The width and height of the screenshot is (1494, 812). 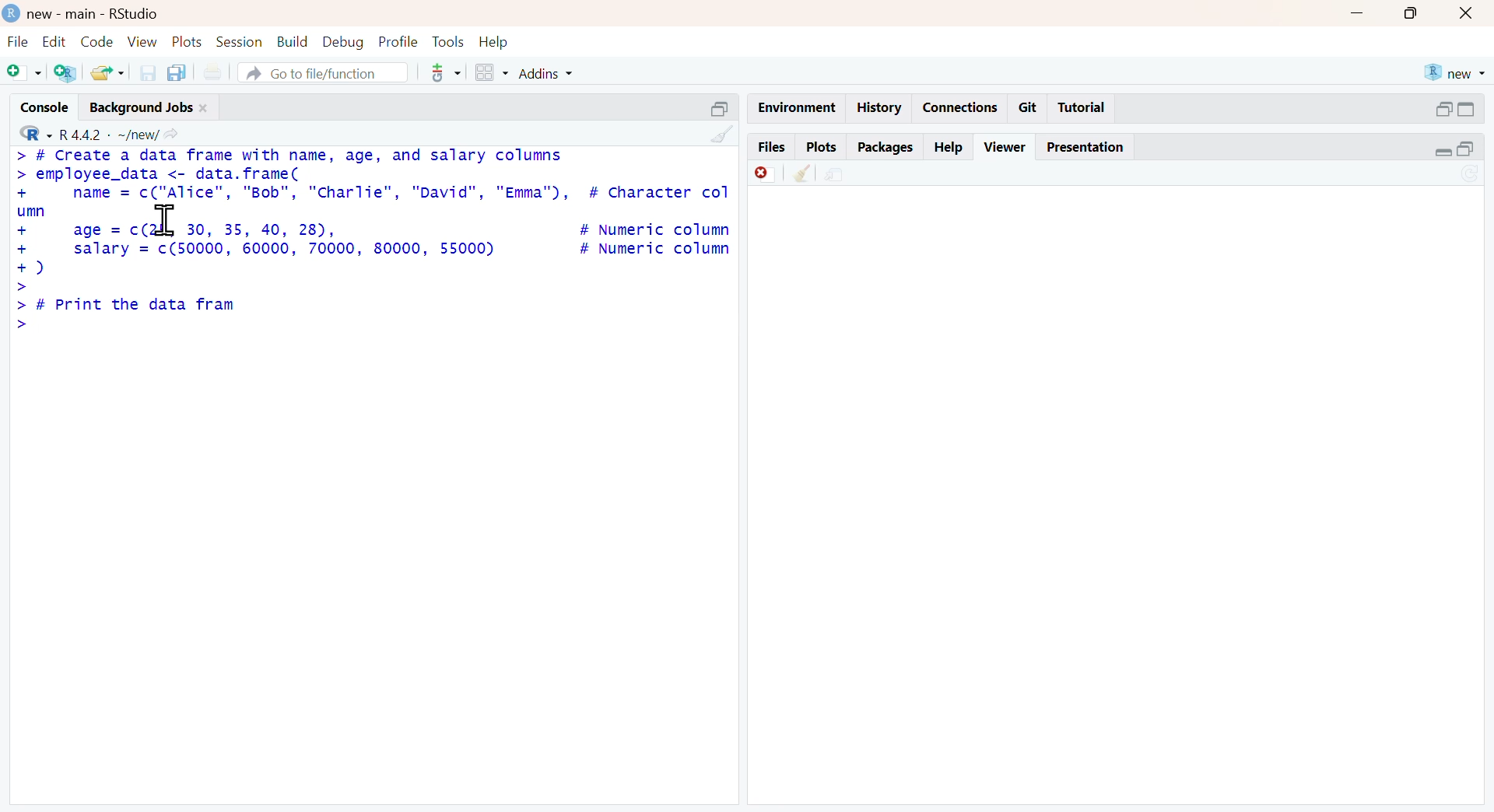 What do you see at coordinates (139, 42) in the screenshot?
I see `View` at bounding box center [139, 42].